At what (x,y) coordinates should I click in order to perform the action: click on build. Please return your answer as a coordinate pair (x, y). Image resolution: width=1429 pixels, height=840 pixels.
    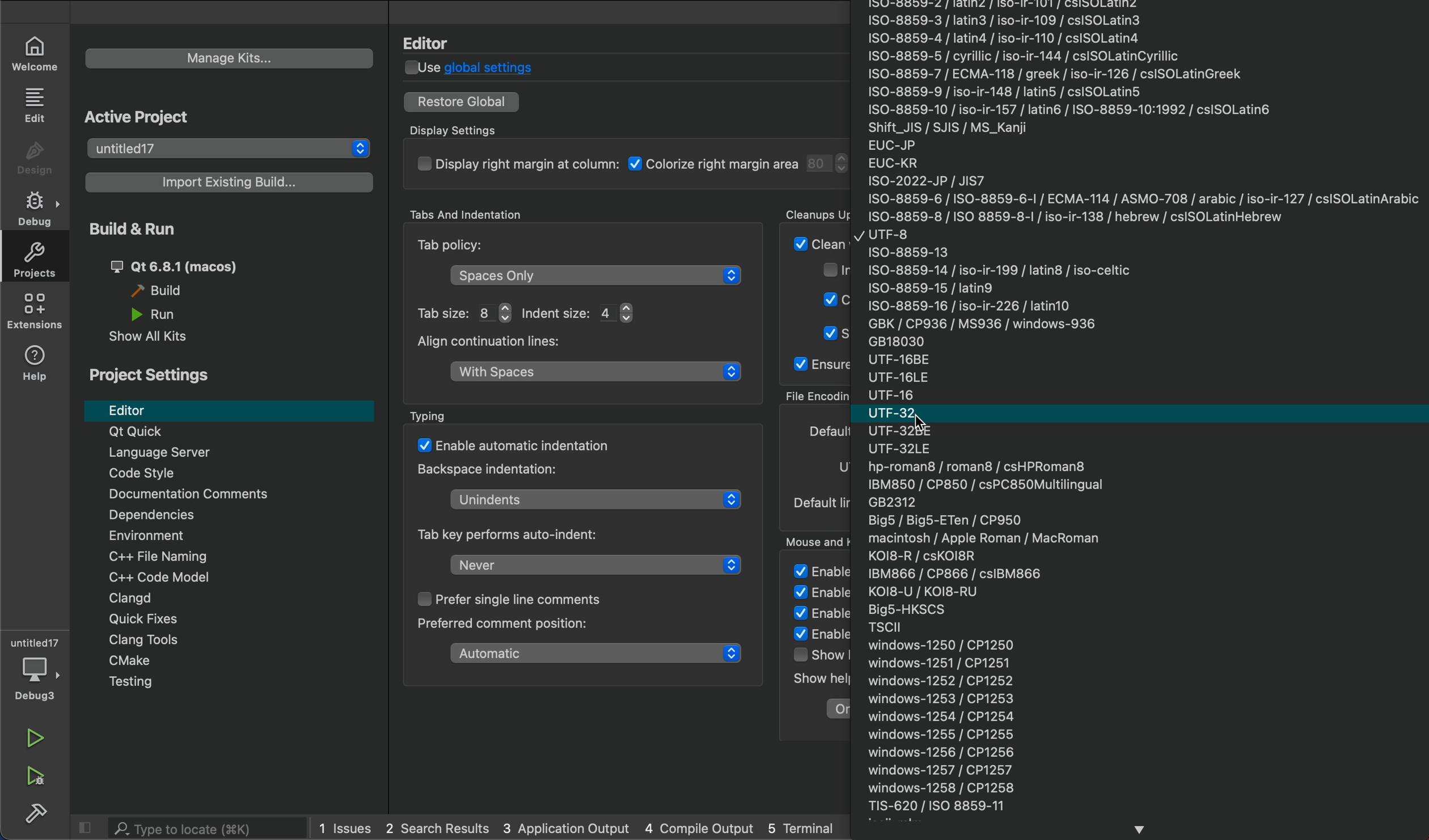
    Looking at the image, I should click on (192, 293).